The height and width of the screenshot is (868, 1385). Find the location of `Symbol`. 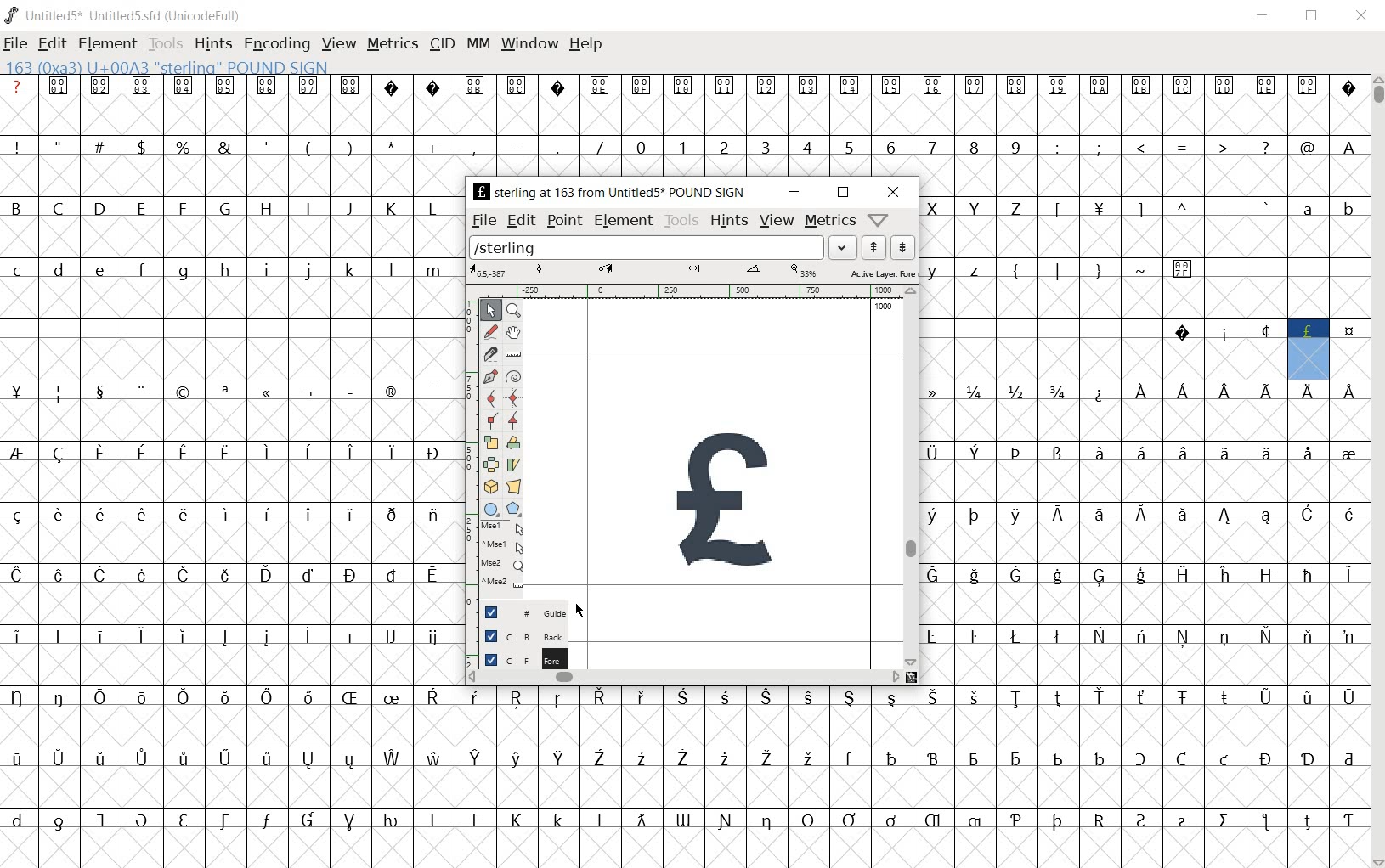

Symbol is located at coordinates (142, 577).